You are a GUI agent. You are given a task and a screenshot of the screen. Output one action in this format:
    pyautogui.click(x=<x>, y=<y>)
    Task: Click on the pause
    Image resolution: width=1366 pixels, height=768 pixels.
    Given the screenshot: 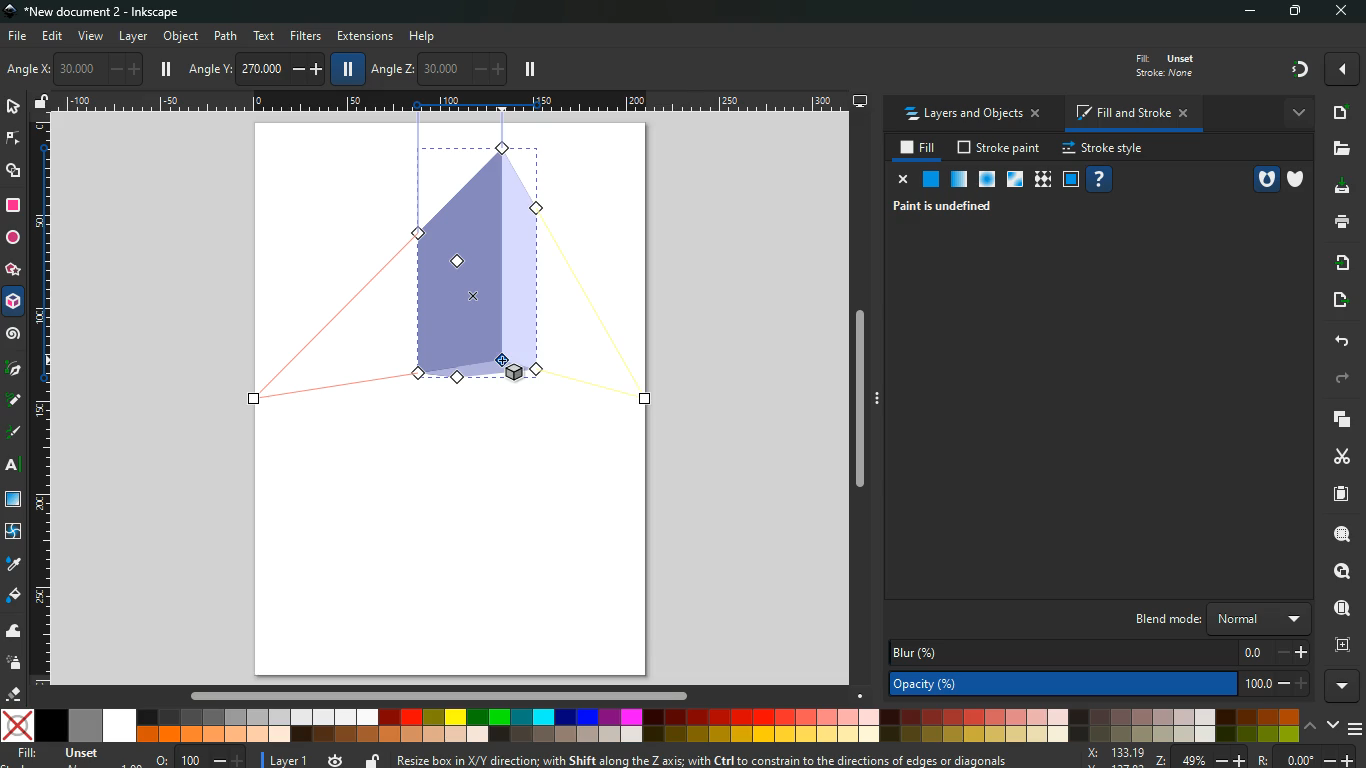 What is the action you would take?
    pyautogui.click(x=530, y=70)
    